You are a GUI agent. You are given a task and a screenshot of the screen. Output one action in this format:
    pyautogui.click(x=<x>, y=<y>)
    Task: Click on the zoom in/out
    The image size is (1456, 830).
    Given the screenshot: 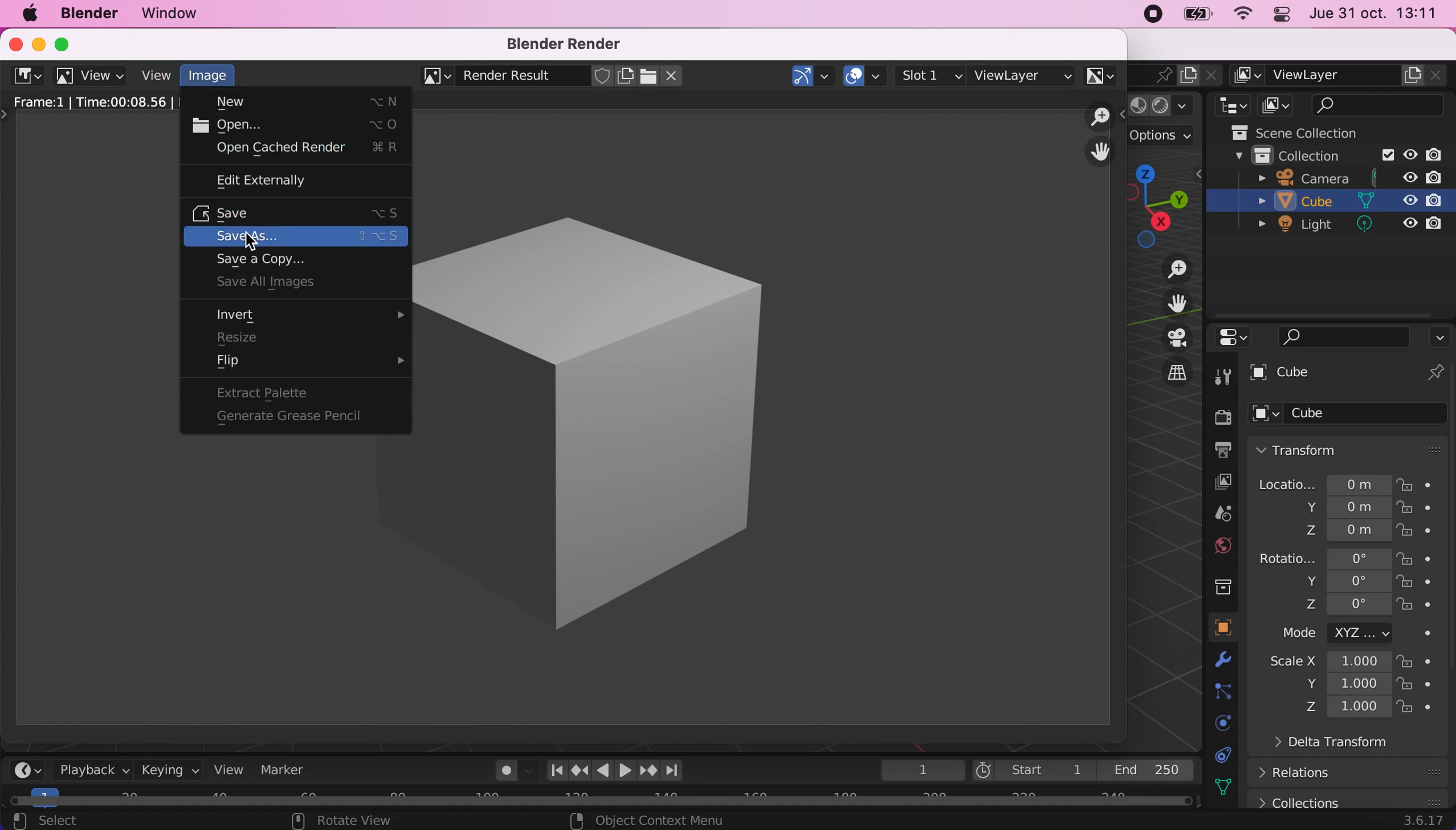 What is the action you would take?
    pyautogui.click(x=1168, y=270)
    